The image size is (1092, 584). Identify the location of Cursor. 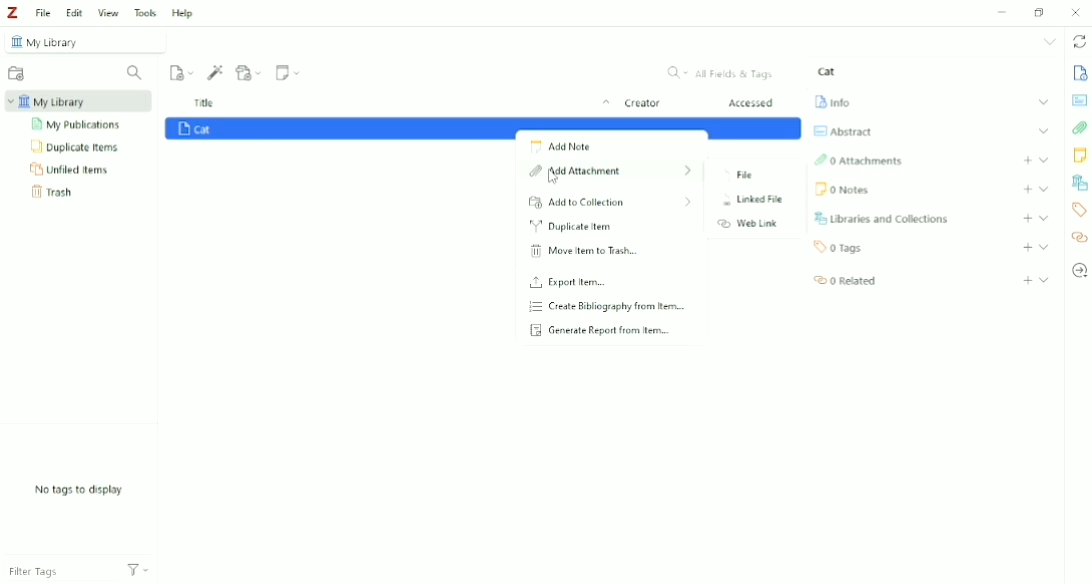
(556, 176).